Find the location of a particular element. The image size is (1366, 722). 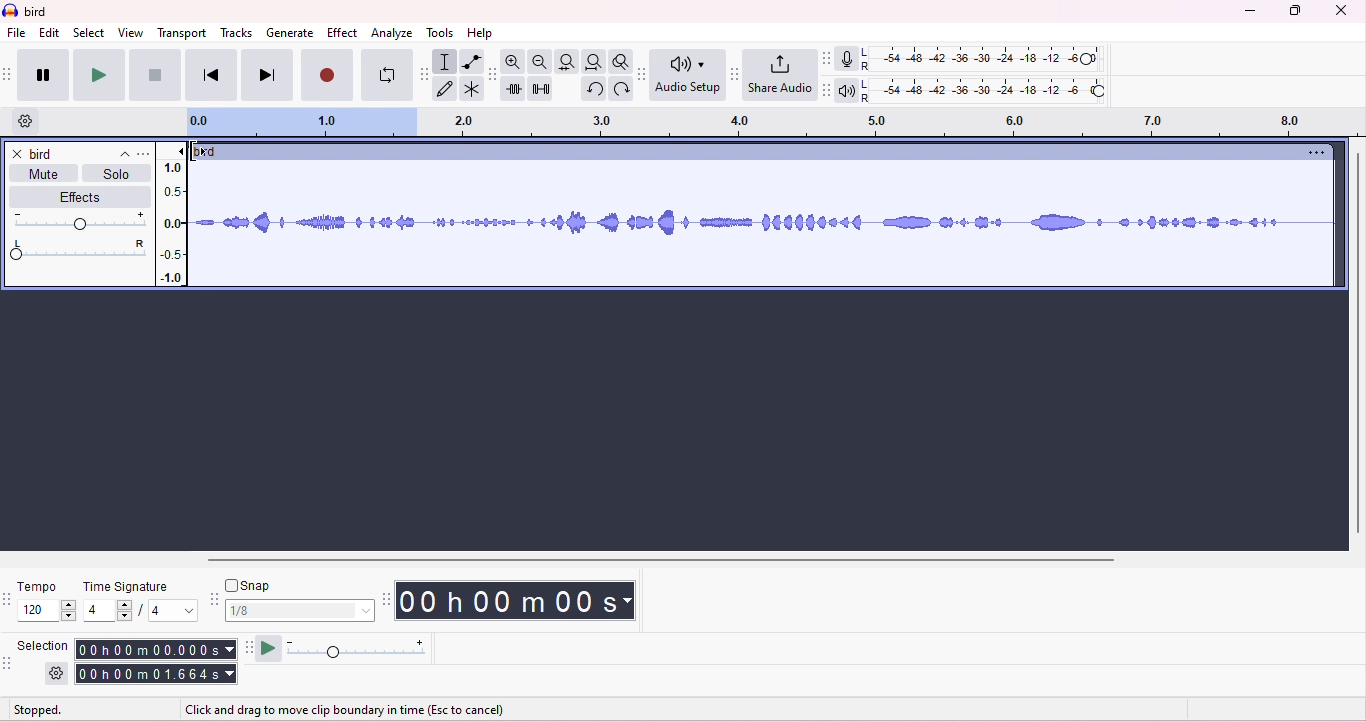

horizontal scroll bar is located at coordinates (667, 559).